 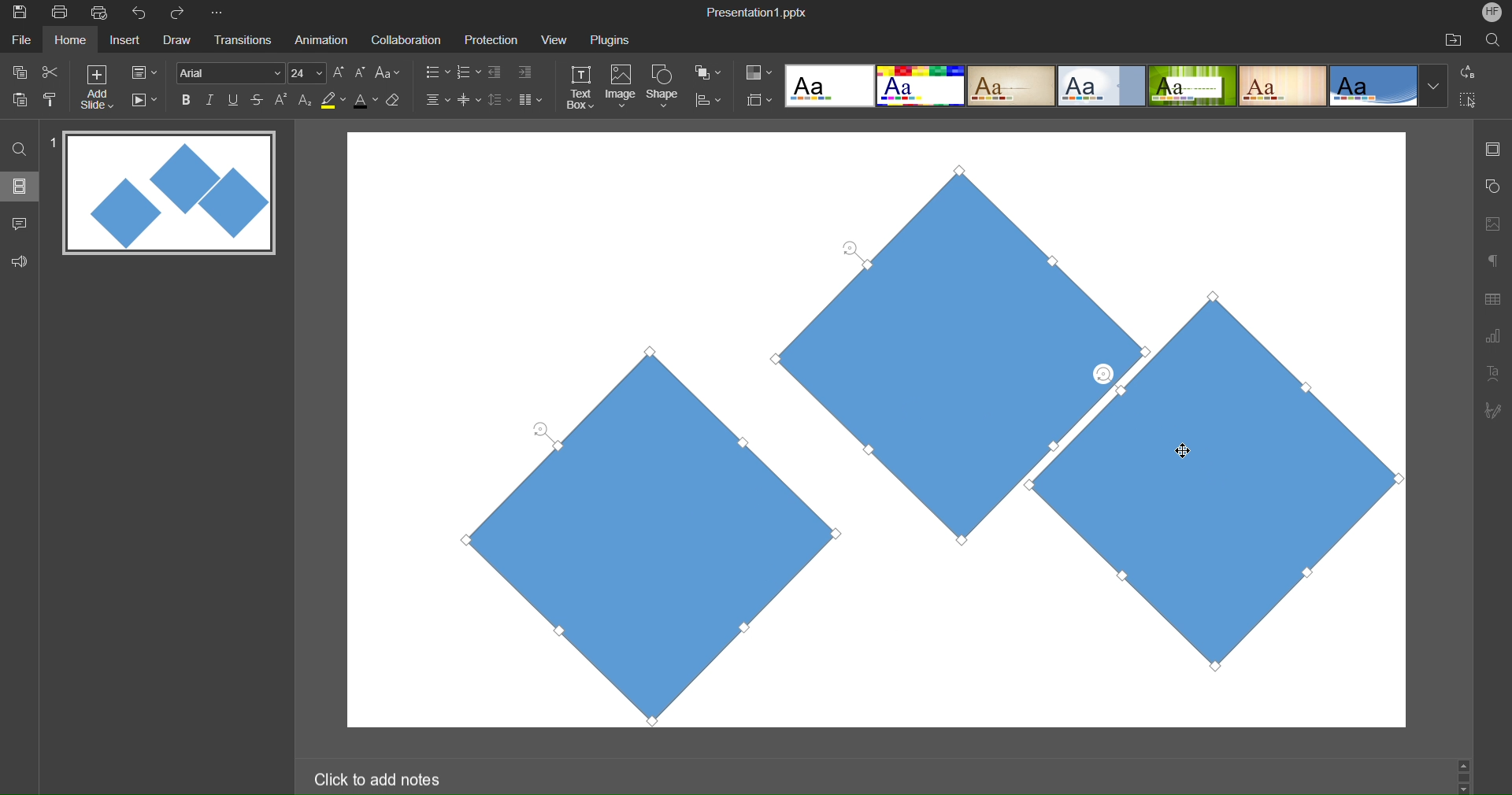 What do you see at coordinates (550, 39) in the screenshot?
I see `View` at bounding box center [550, 39].